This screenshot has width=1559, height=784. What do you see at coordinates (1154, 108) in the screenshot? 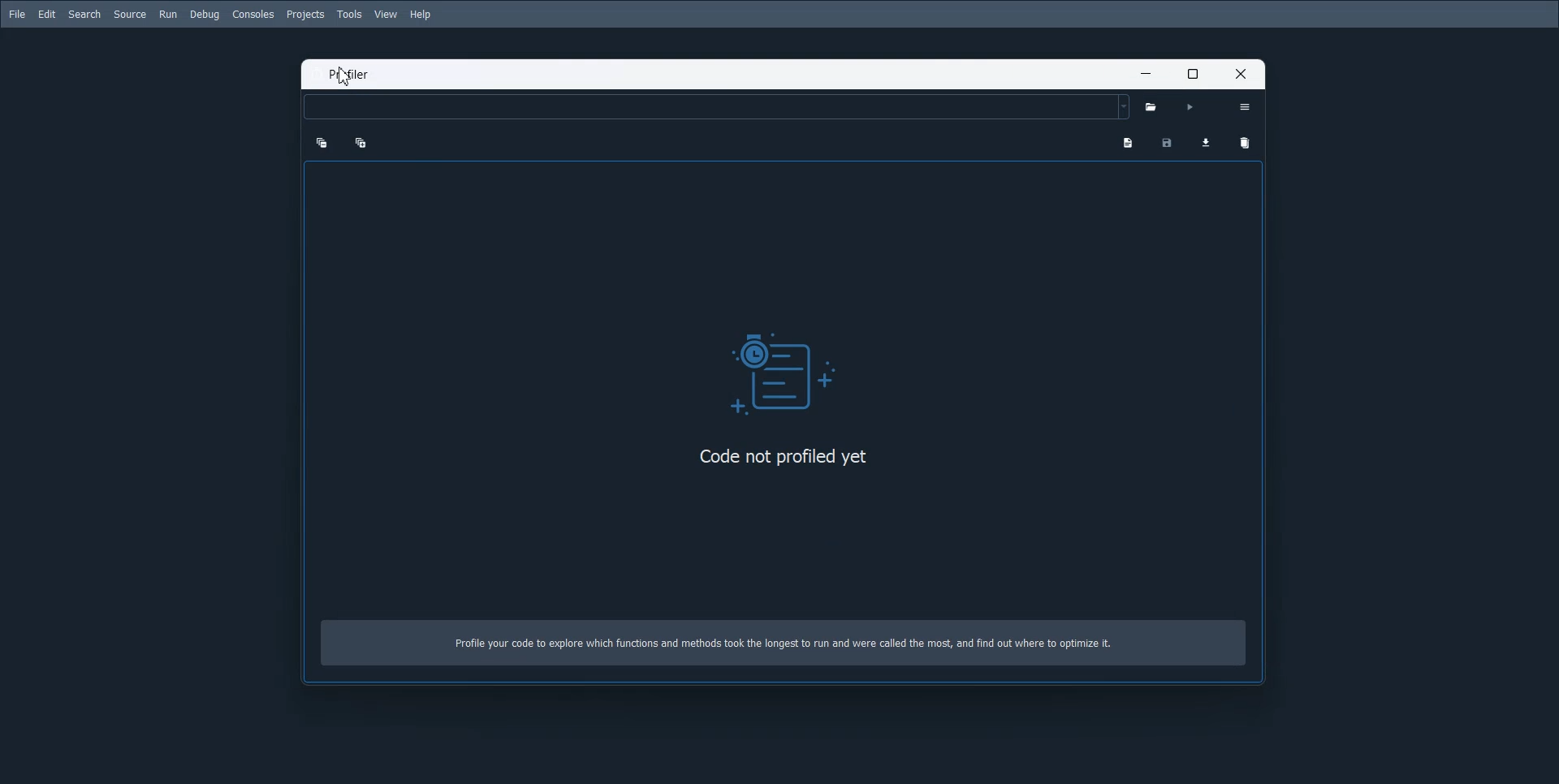
I see `Select python file` at bounding box center [1154, 108].